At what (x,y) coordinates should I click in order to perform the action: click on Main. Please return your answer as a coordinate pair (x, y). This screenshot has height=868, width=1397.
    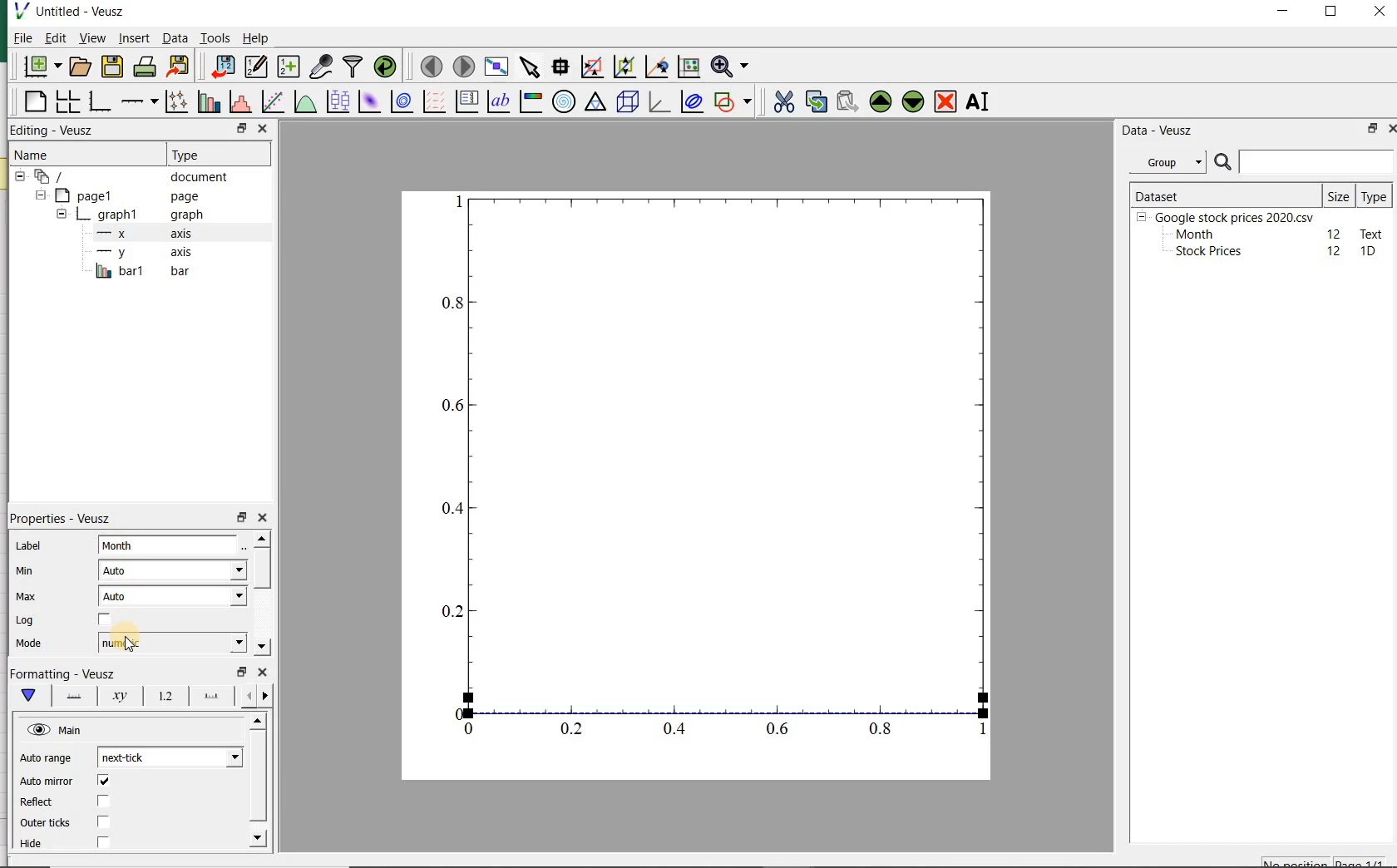
    Looking at the image, I should click on (56, 730).